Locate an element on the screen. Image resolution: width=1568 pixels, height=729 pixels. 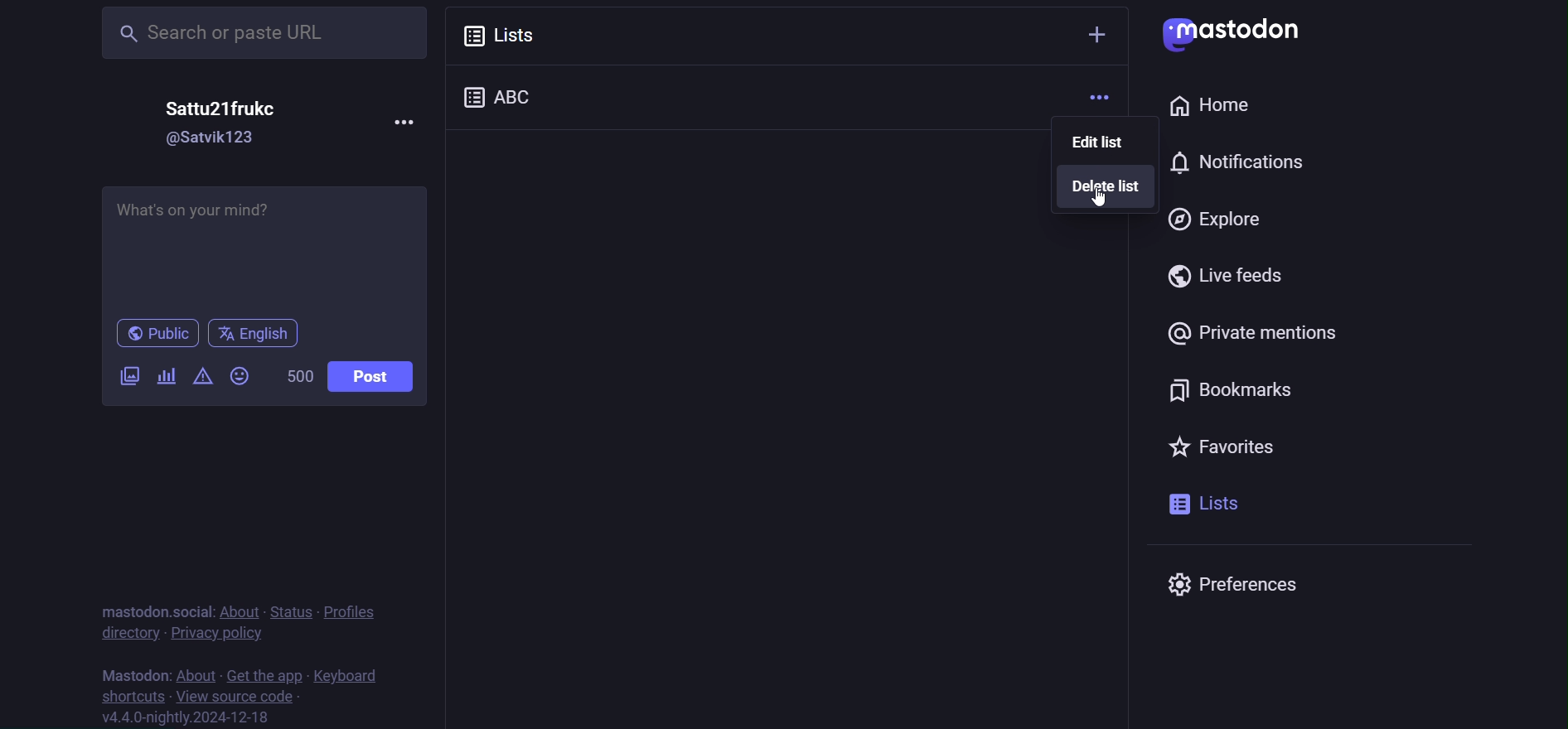
Sattu21frukc is located at coordinates (214, 109).